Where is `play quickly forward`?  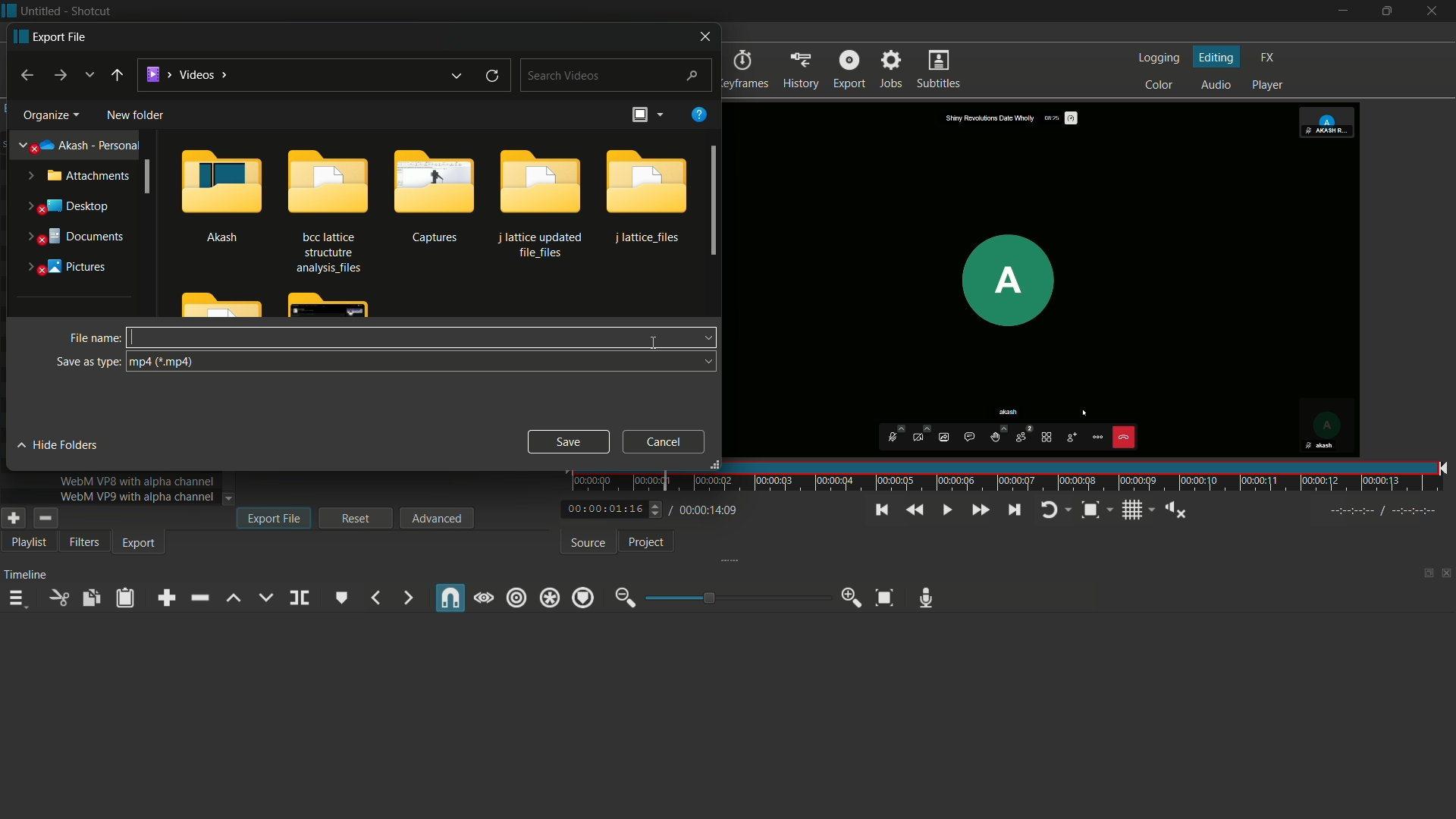
play quickly forward is located at coordinates (979, 510).